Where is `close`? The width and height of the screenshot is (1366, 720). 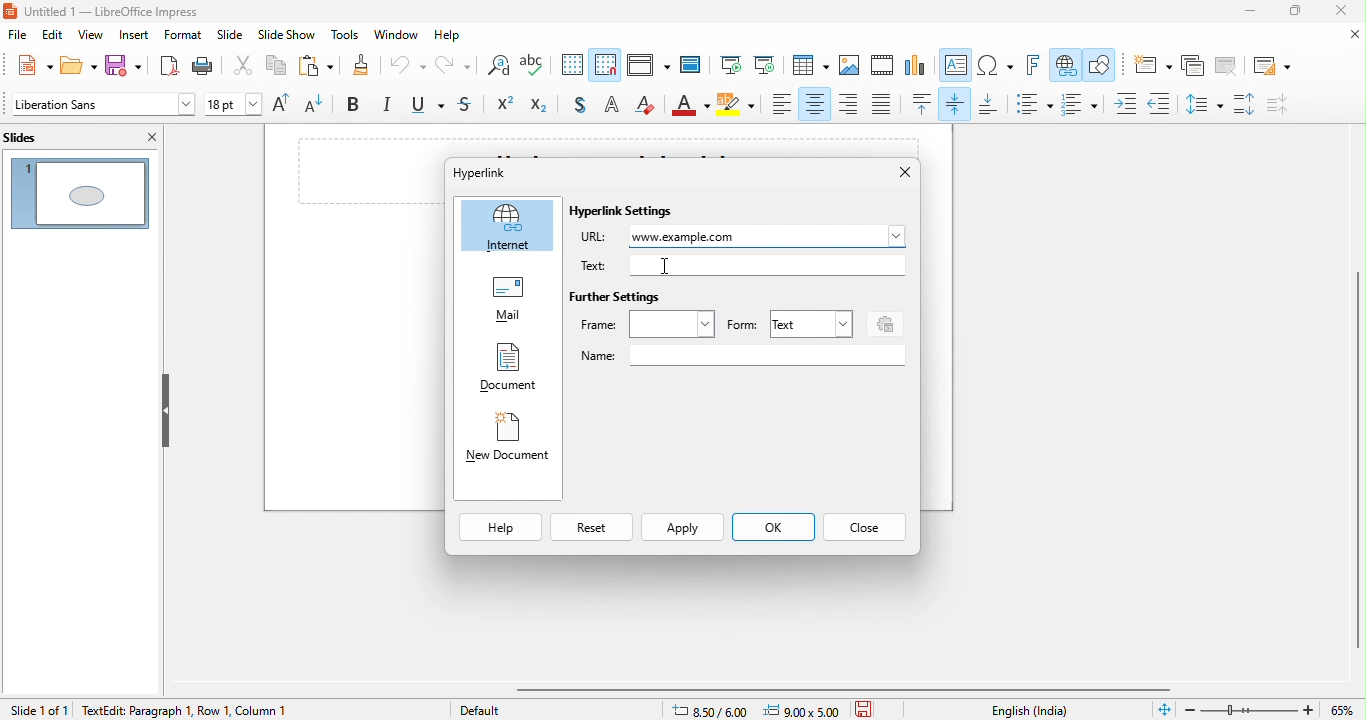
close is located at coordinates (896, 173).